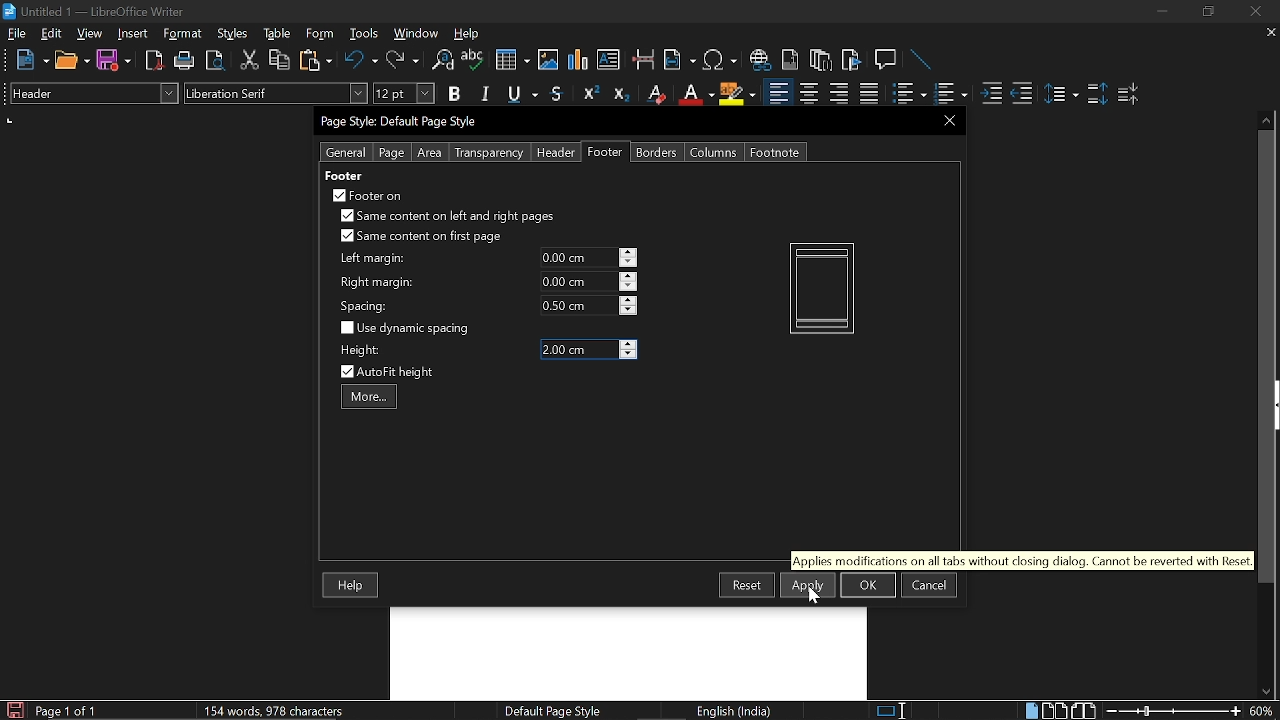 Image resolution: width=1280 pixels, height=720 pixels. Describe the element at coordinates (822, 288) in the screenshot. I see `Current pageview` at that location.